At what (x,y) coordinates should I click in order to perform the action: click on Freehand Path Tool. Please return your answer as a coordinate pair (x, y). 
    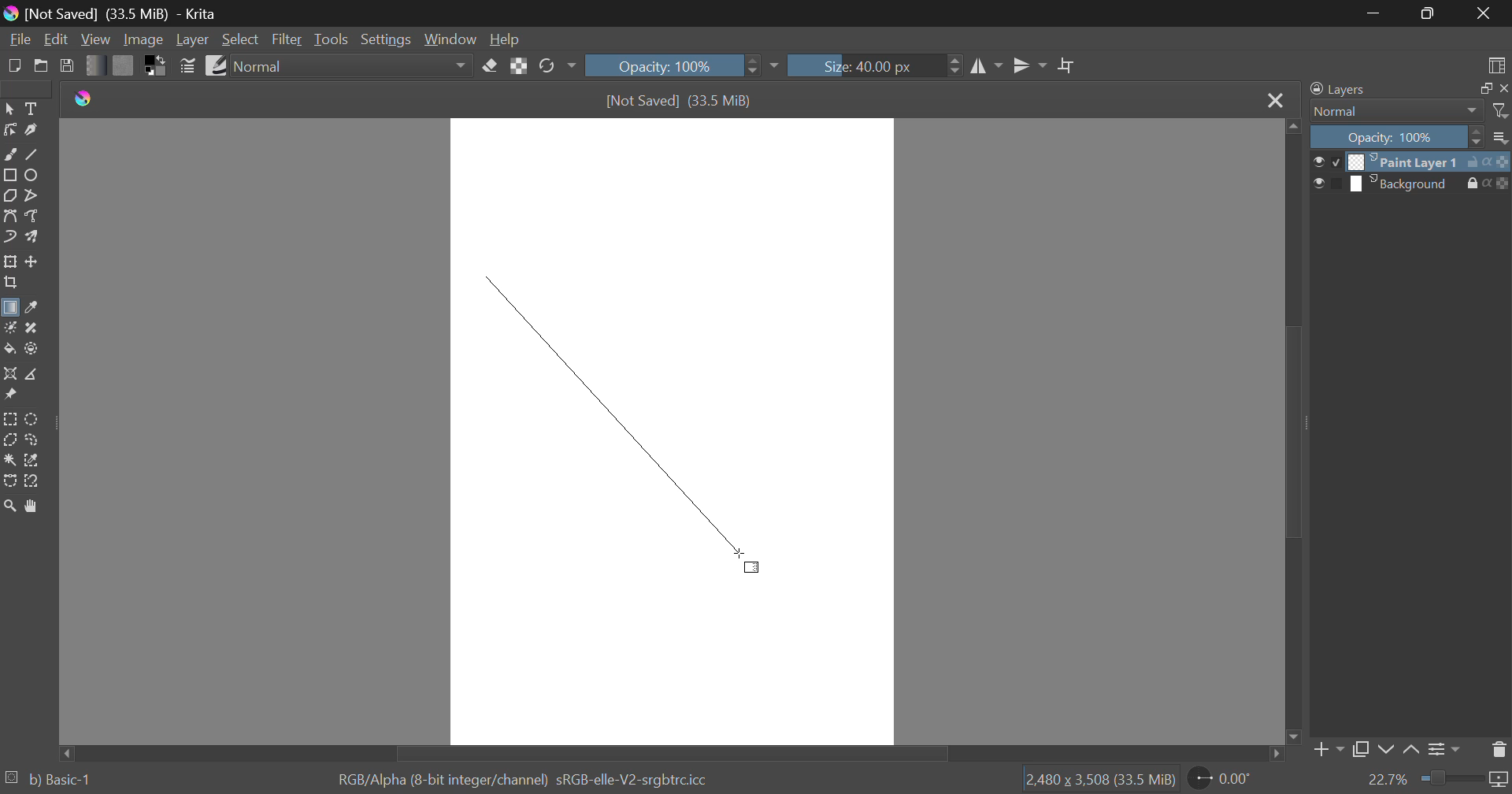
    Looking at the image, I should click on (35, 217).